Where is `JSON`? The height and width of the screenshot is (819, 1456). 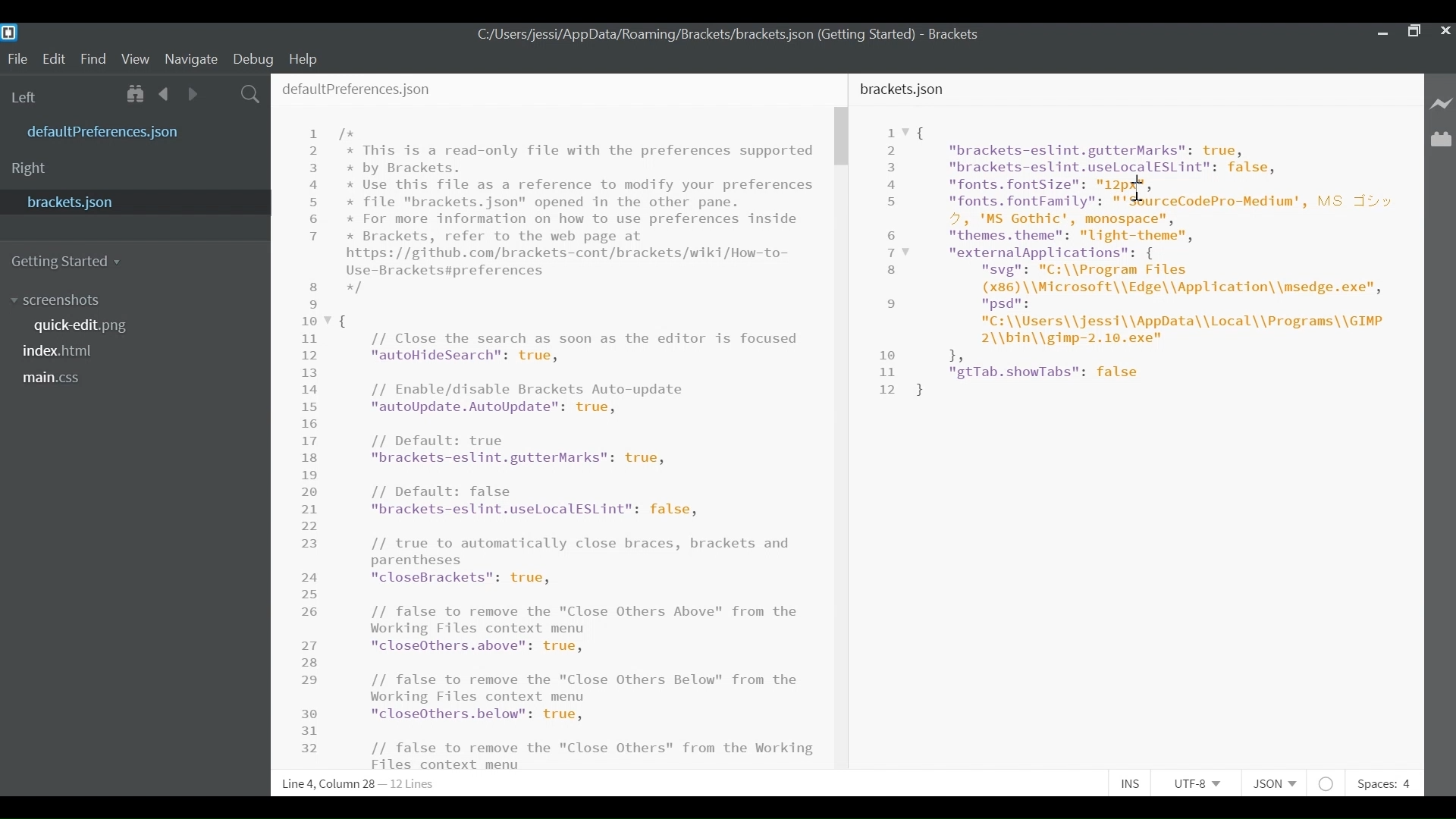 JSON is located at coordinates (1279, 783).